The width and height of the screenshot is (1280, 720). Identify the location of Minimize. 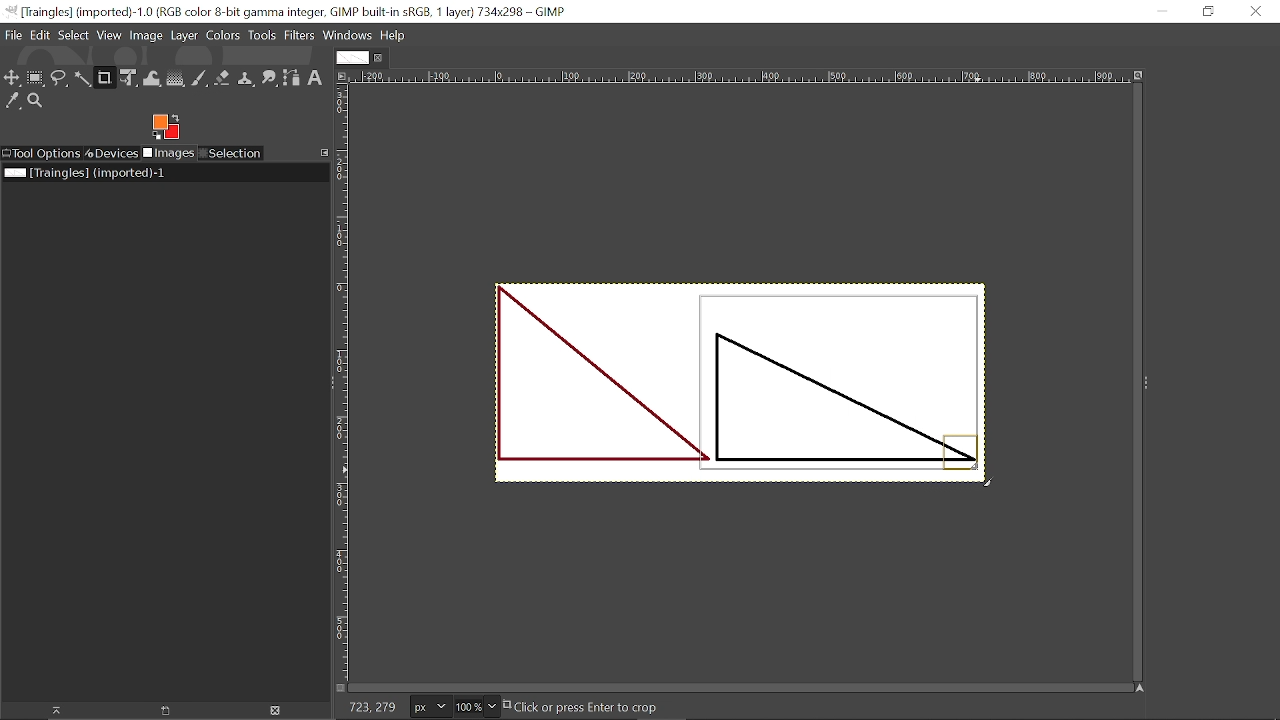
(1170, 11).